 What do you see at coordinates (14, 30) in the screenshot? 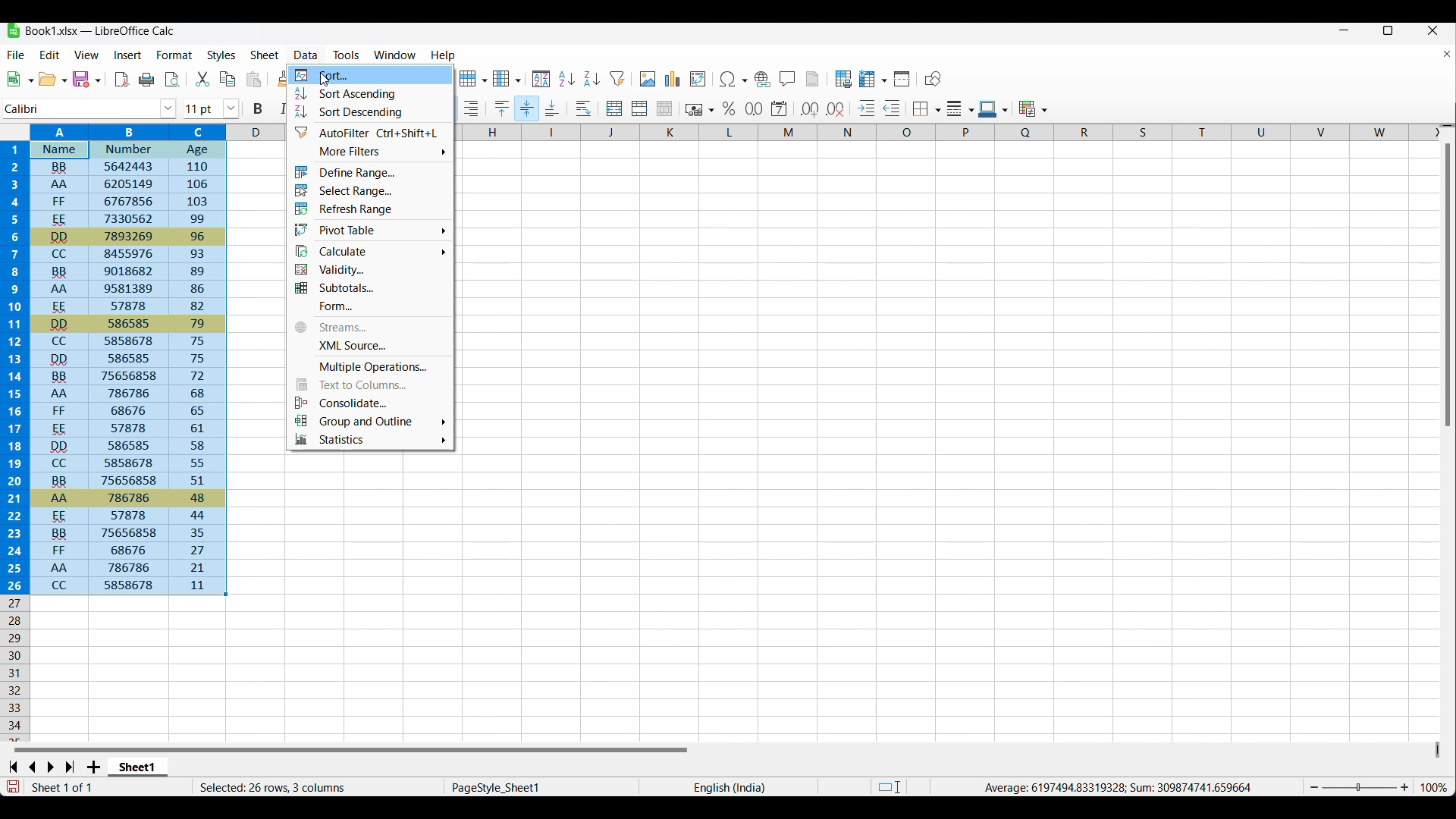
I see `Software logo` at bounding box center [14, 30].